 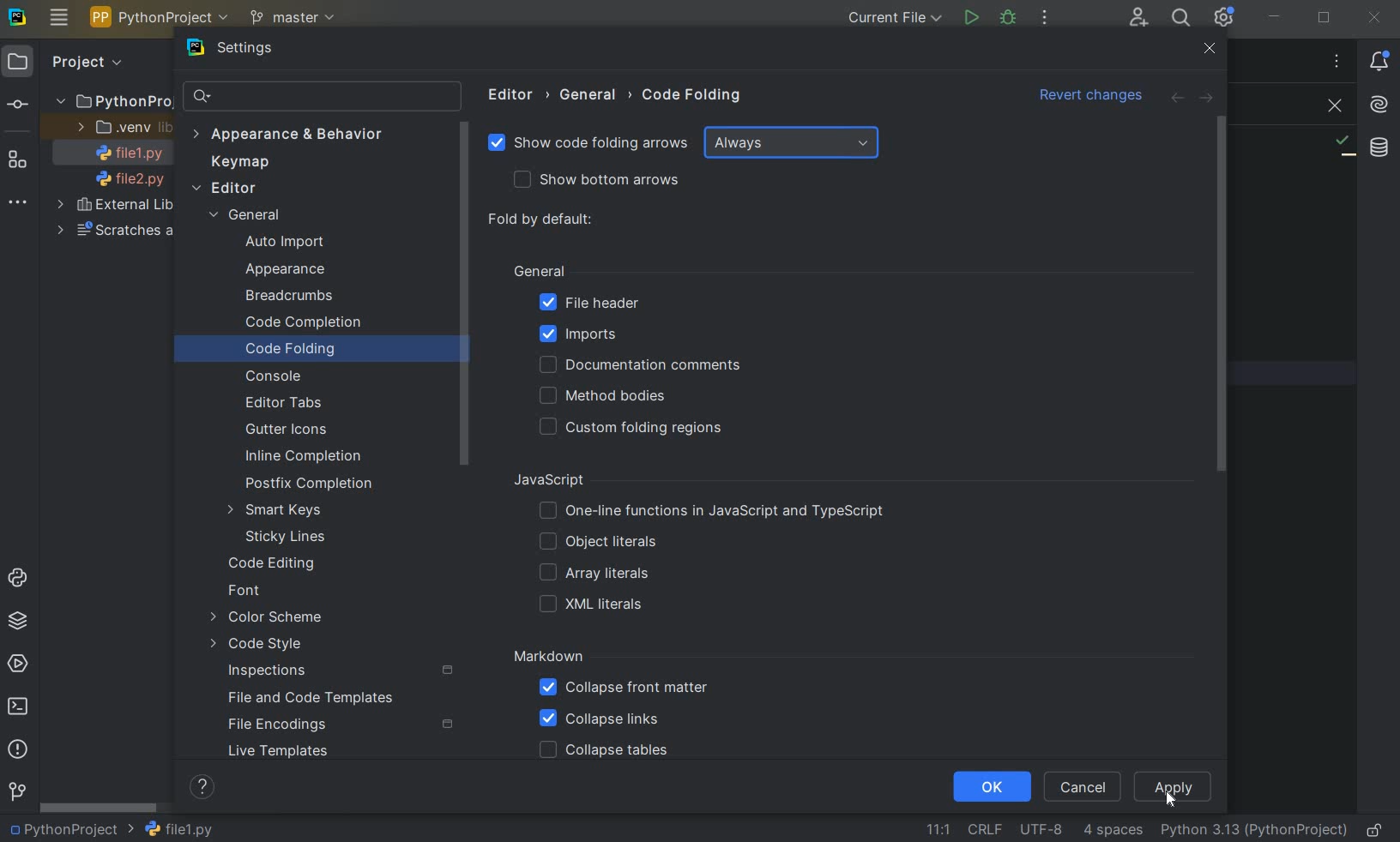 I want to click on CURRENT INTERPRETER, so click(x=1253, y=831).